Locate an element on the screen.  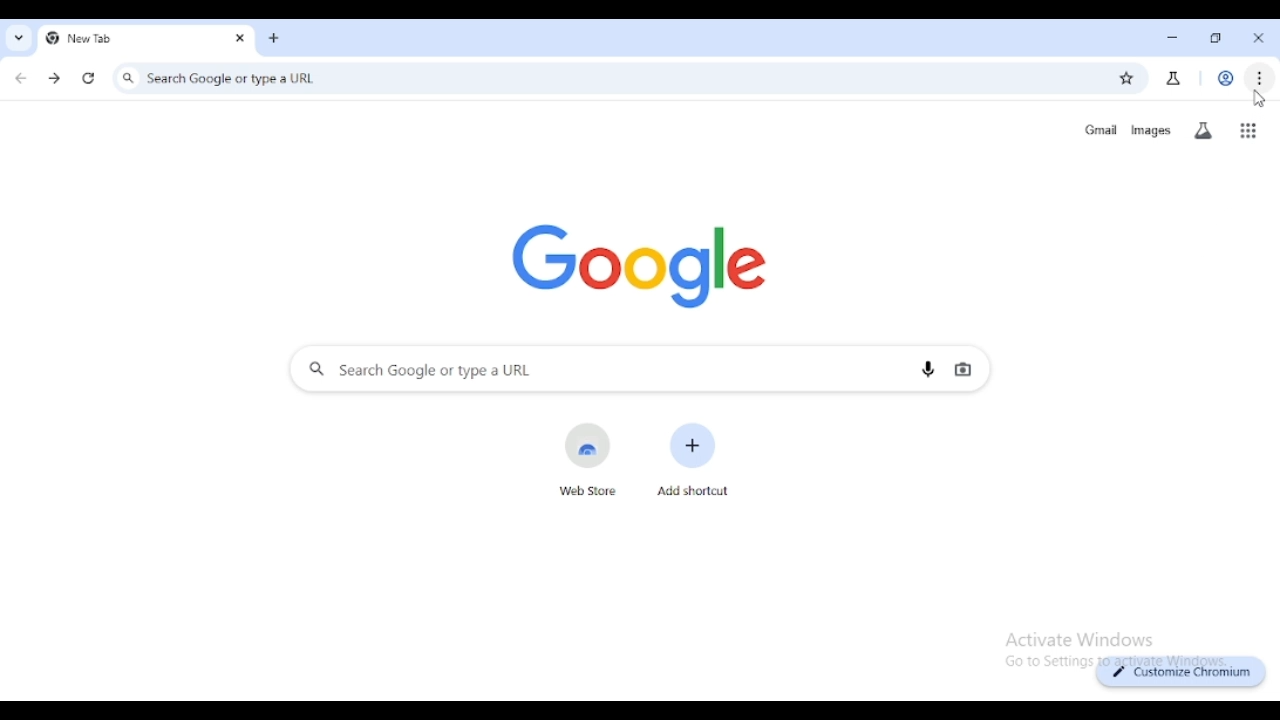
search tabs is located at coordinates (18, 38).